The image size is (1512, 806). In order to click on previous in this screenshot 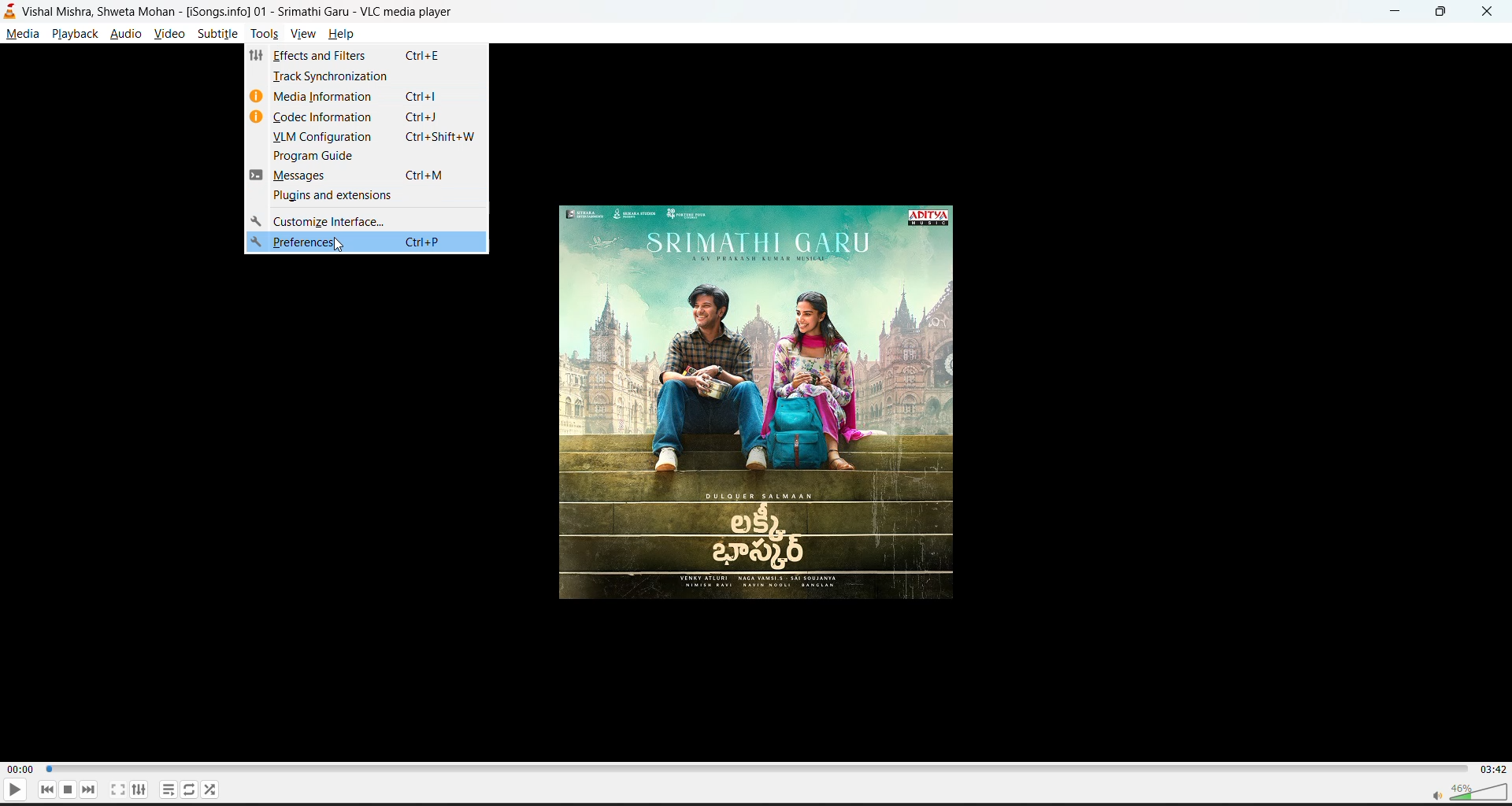, I will do `click(48, 789)`.